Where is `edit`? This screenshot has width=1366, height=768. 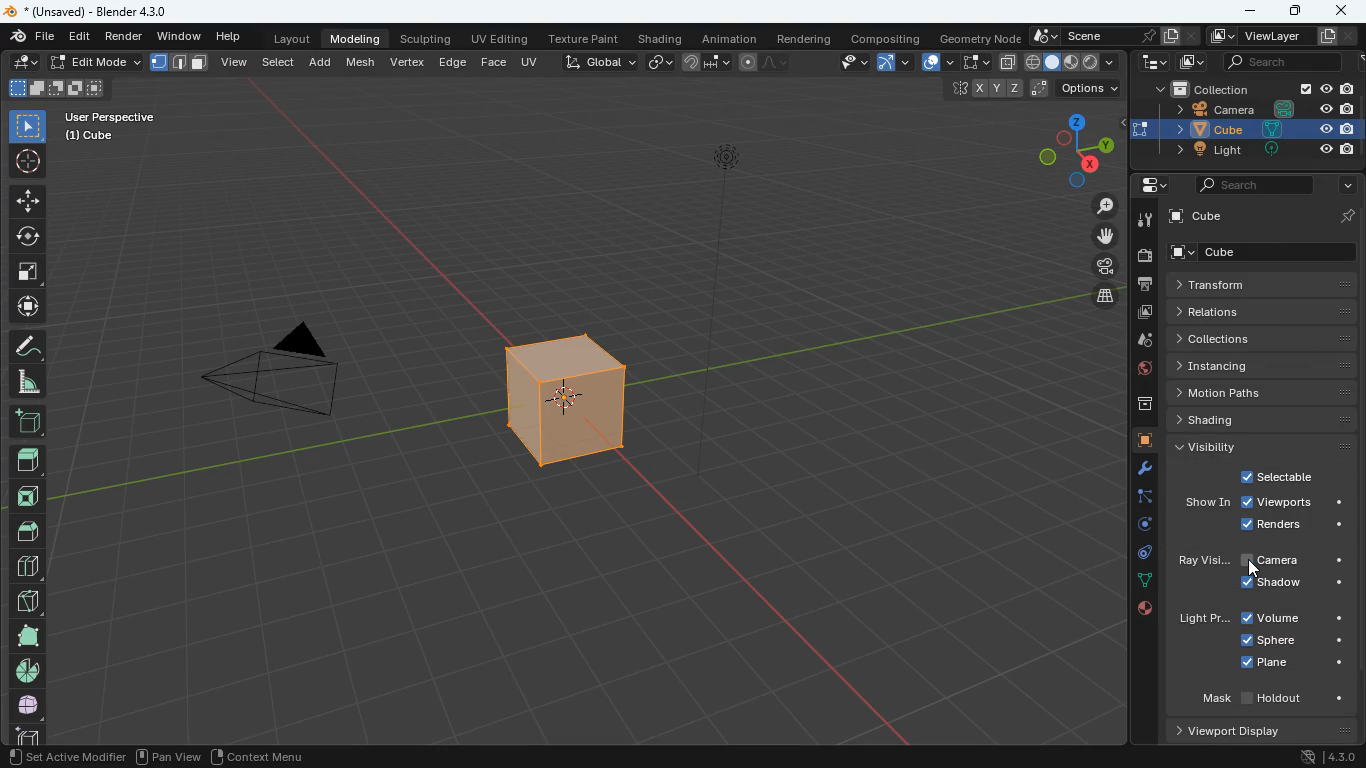 edit is located at coordinates (79, 37).